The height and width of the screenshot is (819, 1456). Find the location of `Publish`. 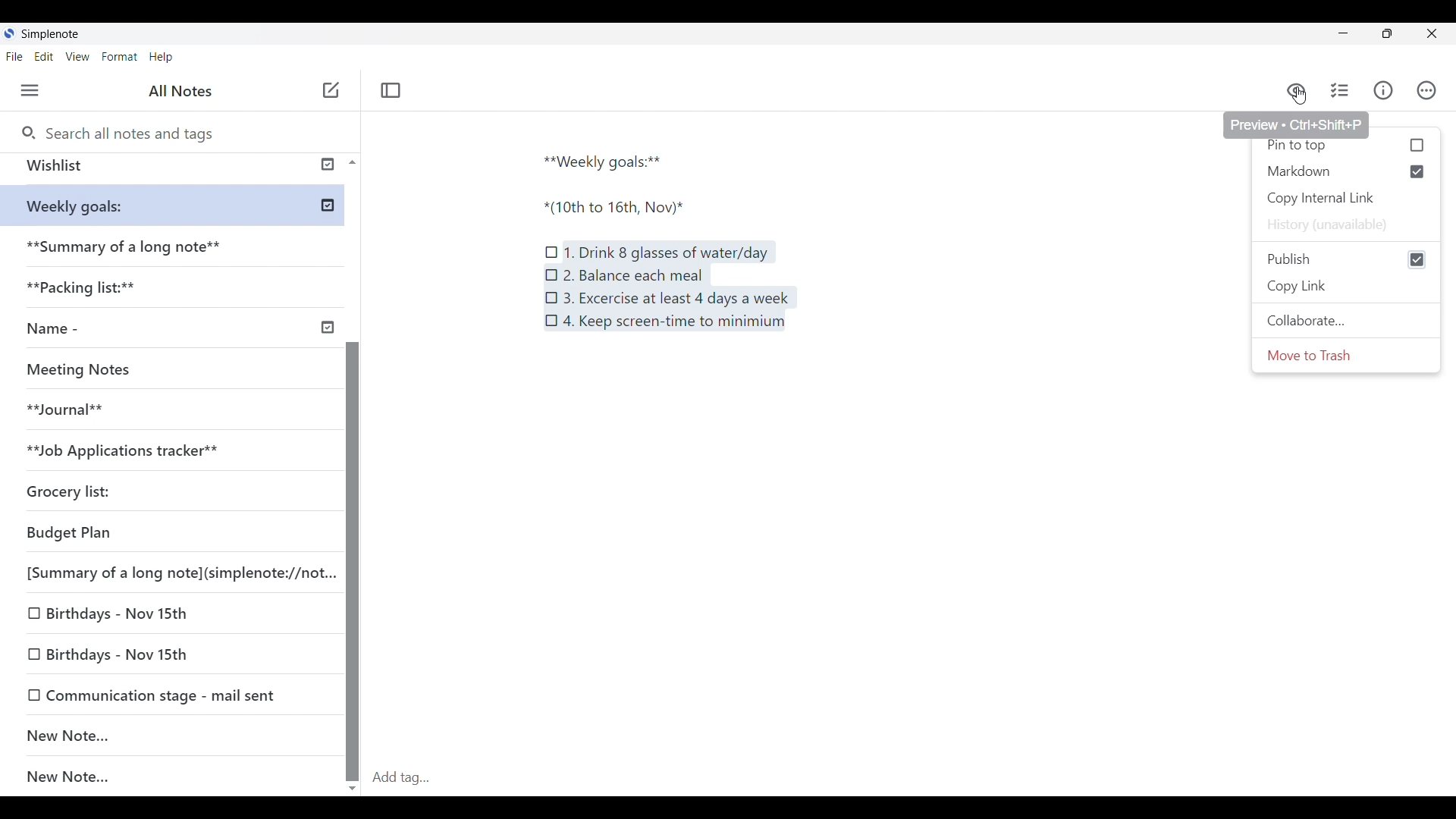

Publish is located at coordinates (1346, 257).